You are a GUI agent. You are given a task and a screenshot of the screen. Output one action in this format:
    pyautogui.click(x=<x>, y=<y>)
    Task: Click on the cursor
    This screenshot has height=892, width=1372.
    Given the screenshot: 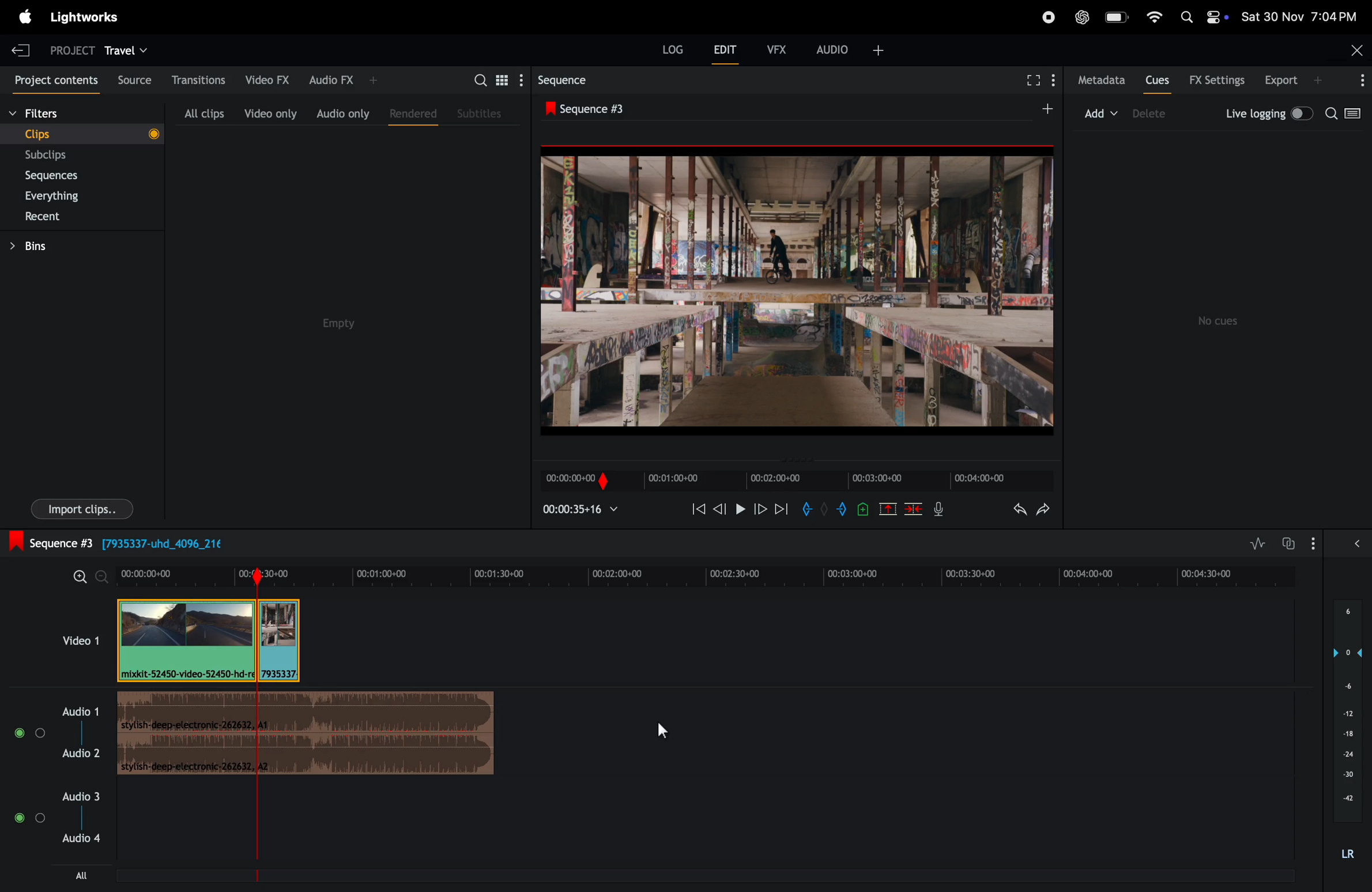 What is the action you would take?
    pyautogui.click(x=661, y=730)
    